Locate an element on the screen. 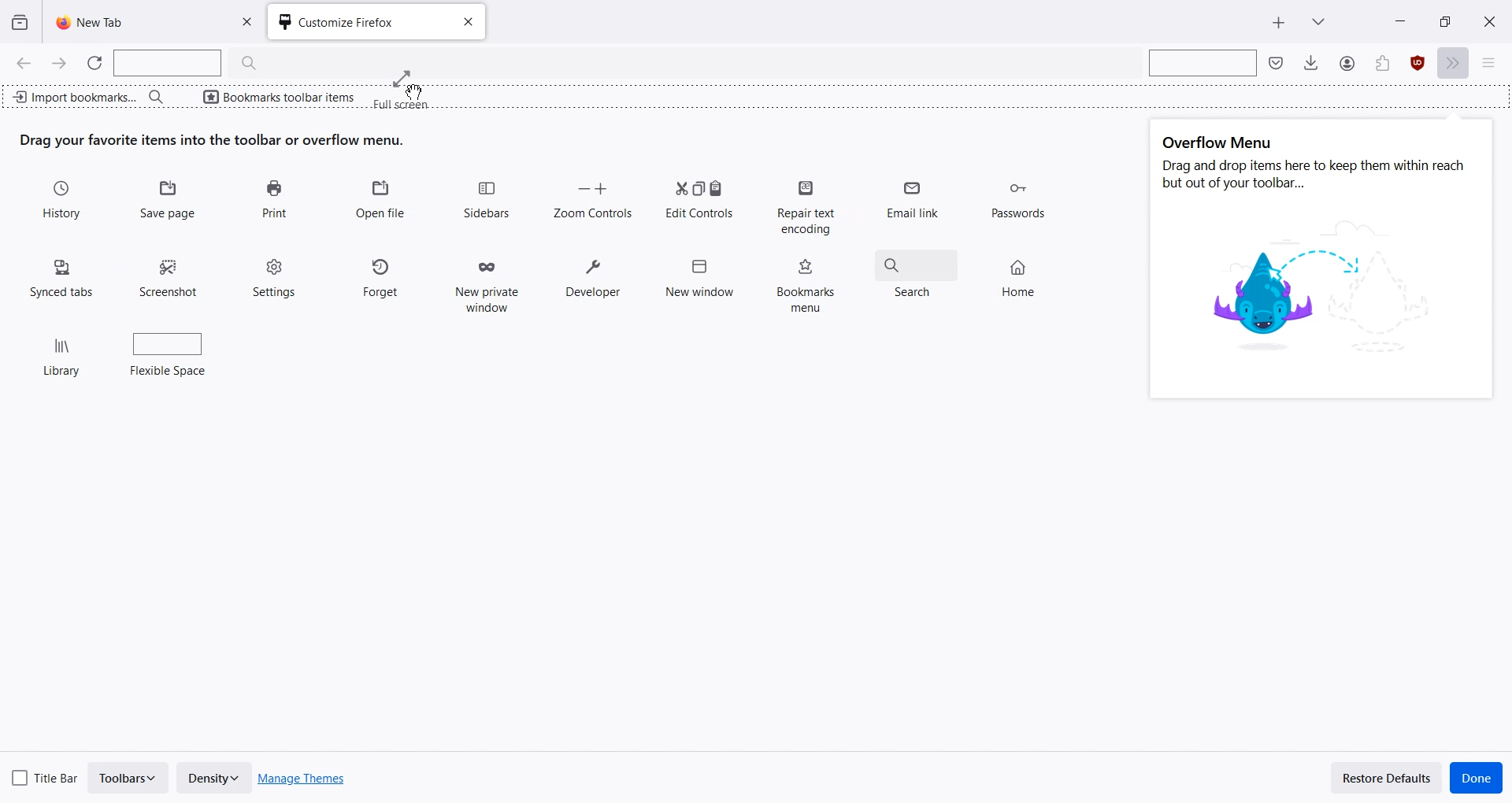 This screenshot has height=803, width=1512. Save Page is located at coordinates (170, 201).